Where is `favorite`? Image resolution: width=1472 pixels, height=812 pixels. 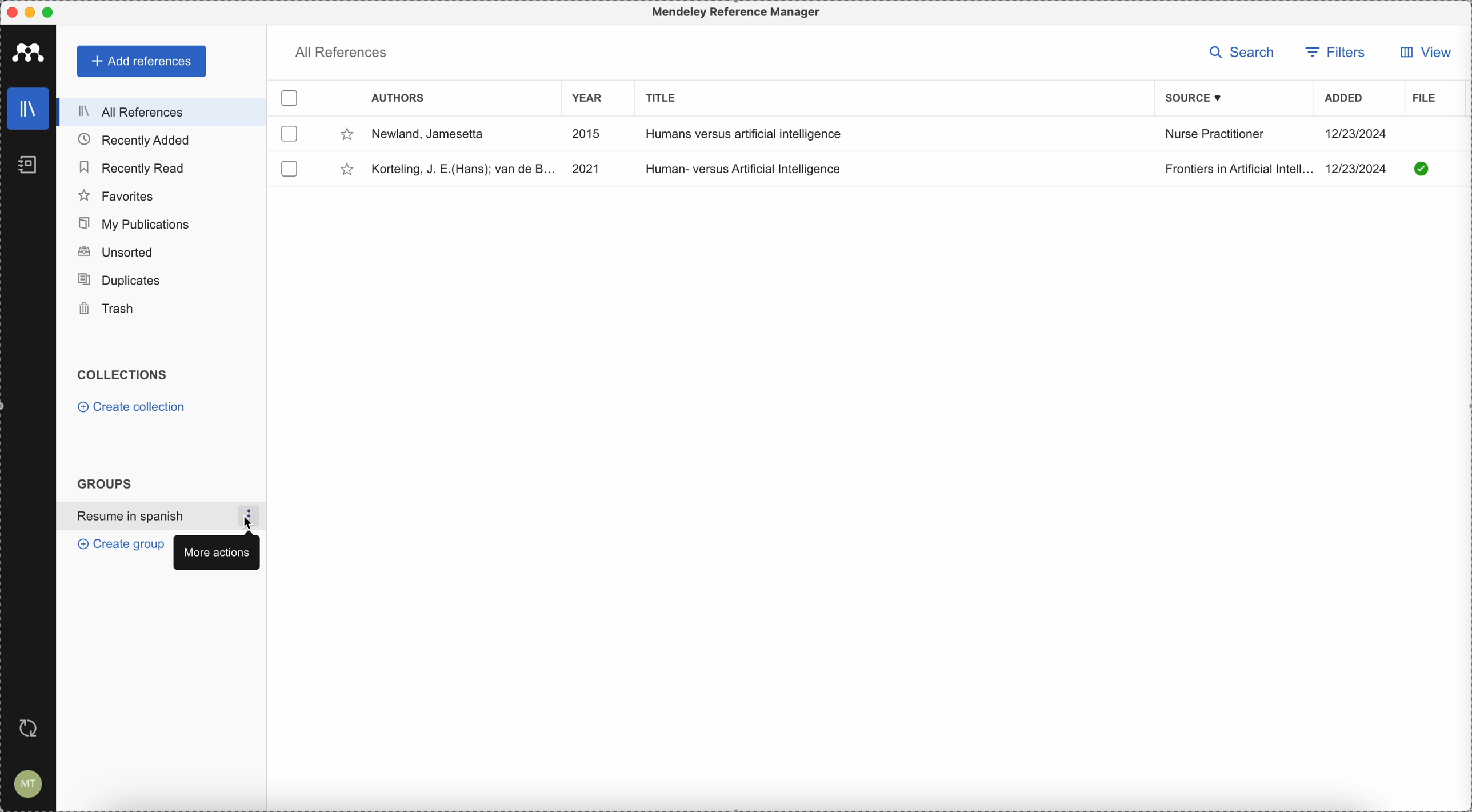 favorite is located at coordinates (347, 169).